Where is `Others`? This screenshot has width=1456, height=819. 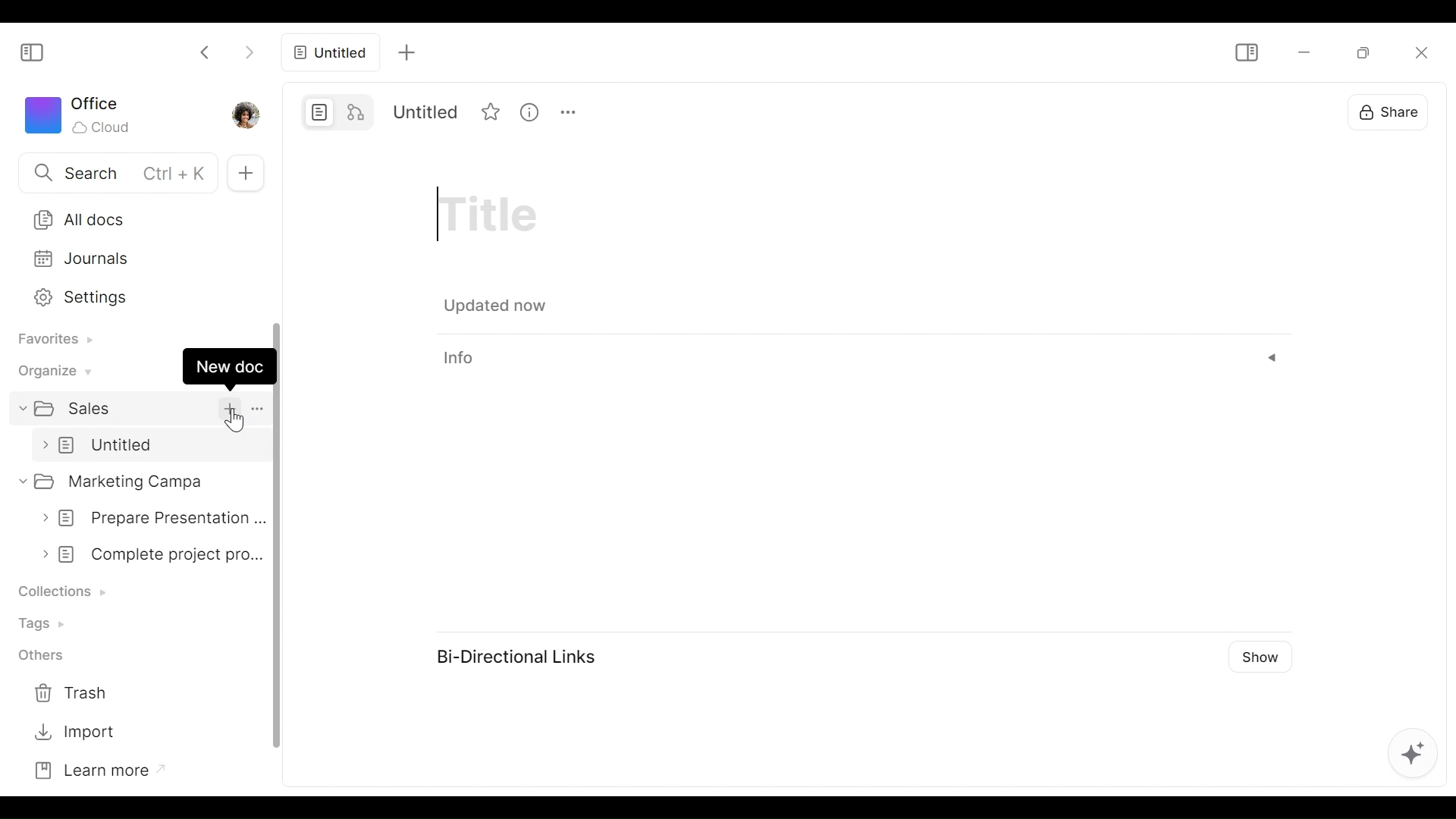 Others is located at coordinates (46, 655).